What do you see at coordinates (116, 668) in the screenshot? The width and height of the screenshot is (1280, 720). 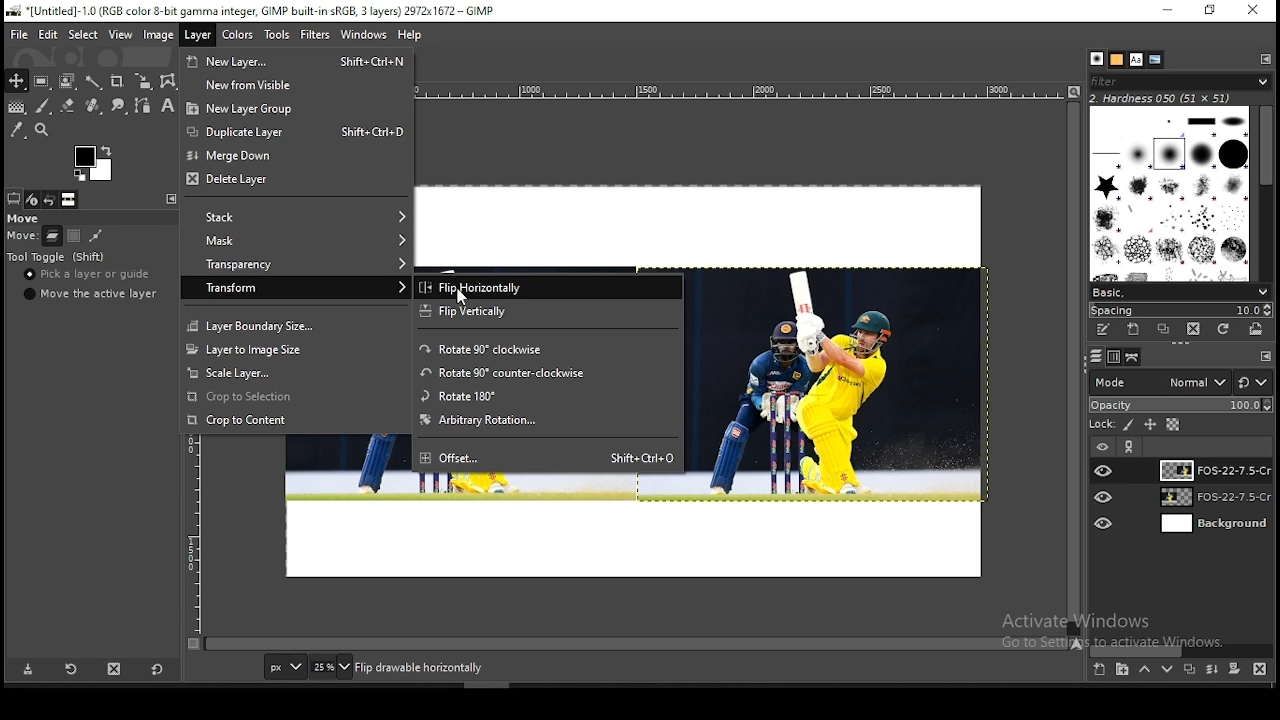 I see `delete tool preset` at bounding box center [116, 668].